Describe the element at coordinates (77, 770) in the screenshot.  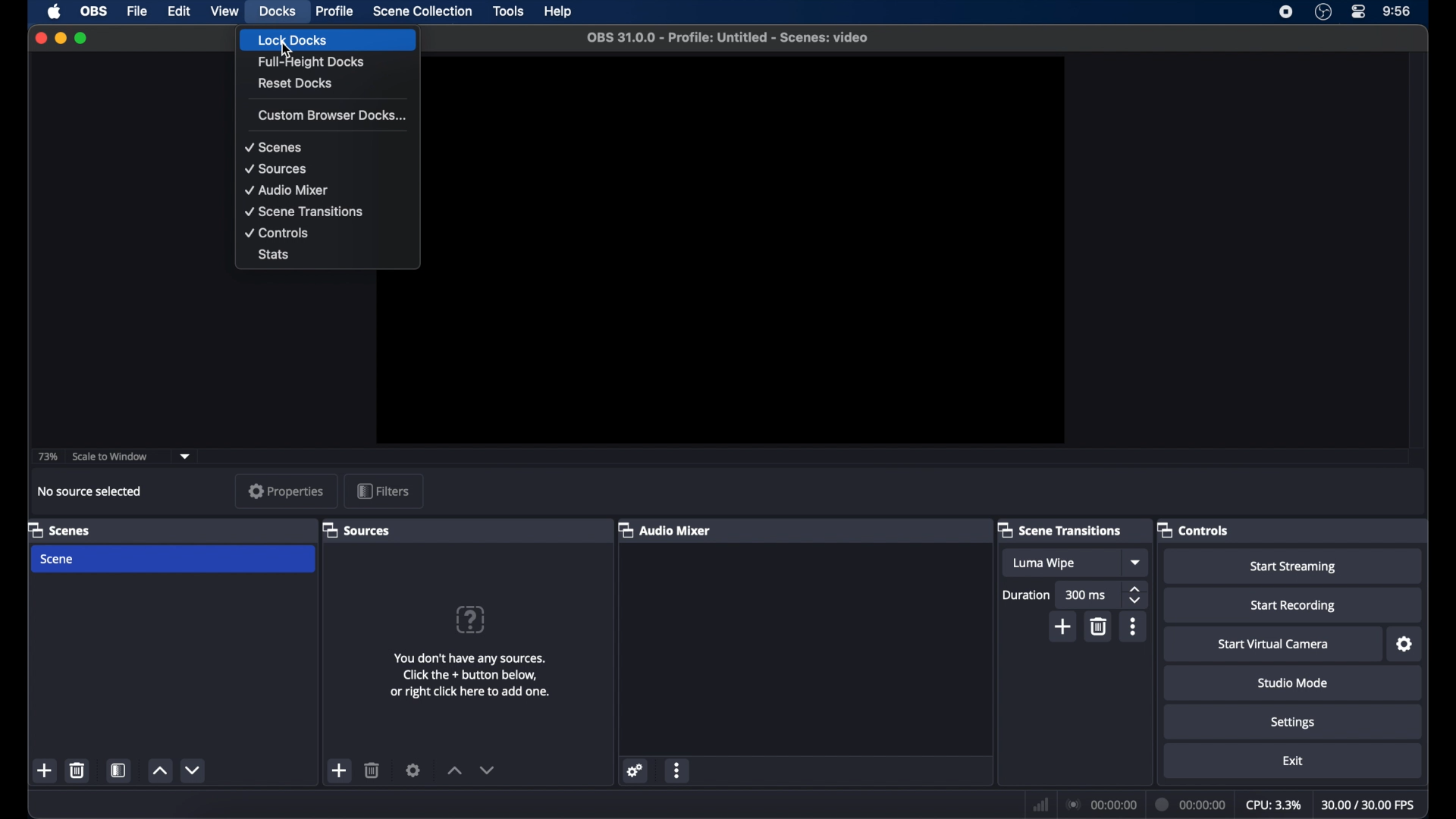
I see `delete` at that location.